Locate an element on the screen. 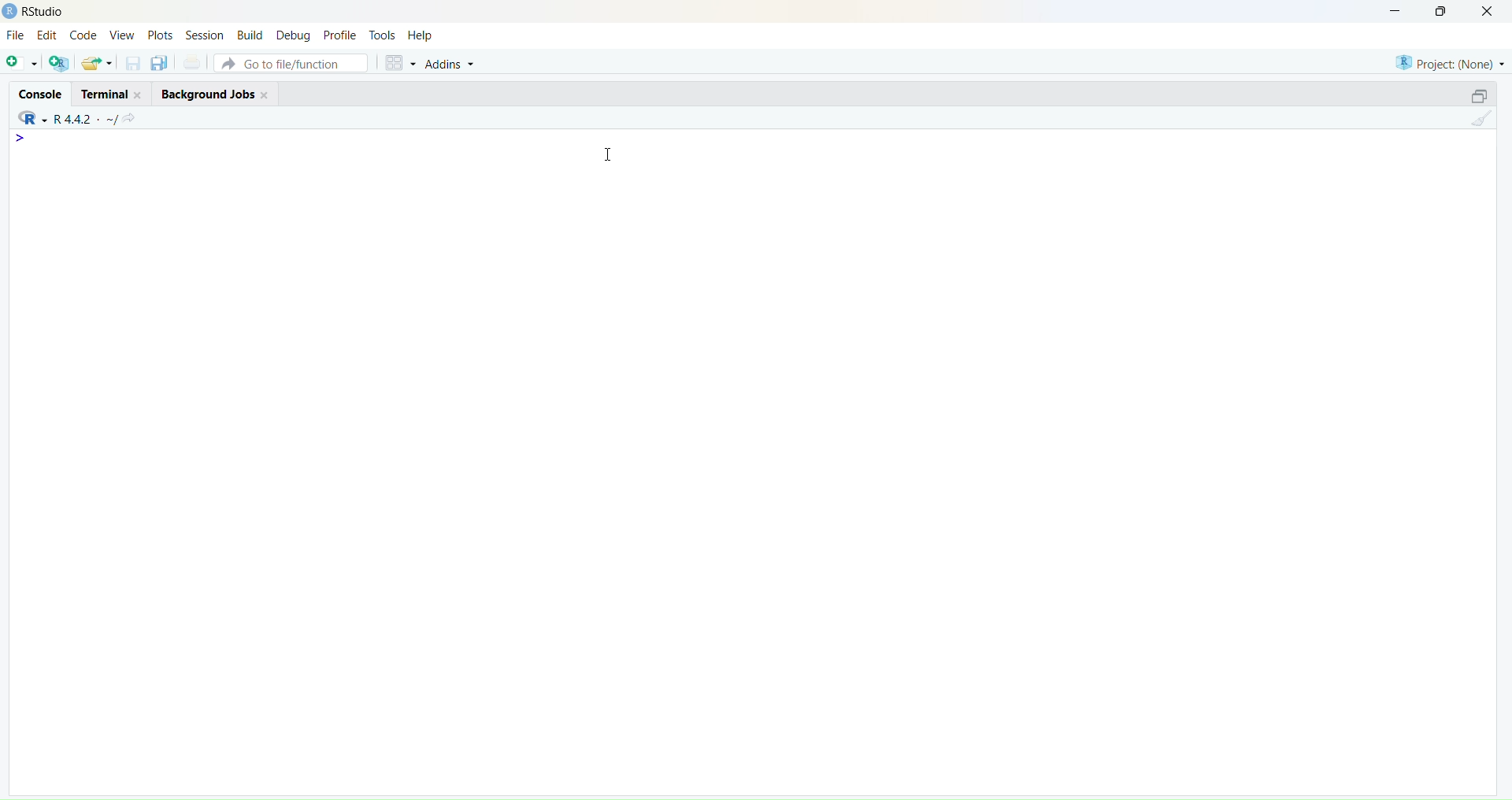 Image resolution: width=1512 pixels, height=800 pixels. print is located at coordinates (192, 65).